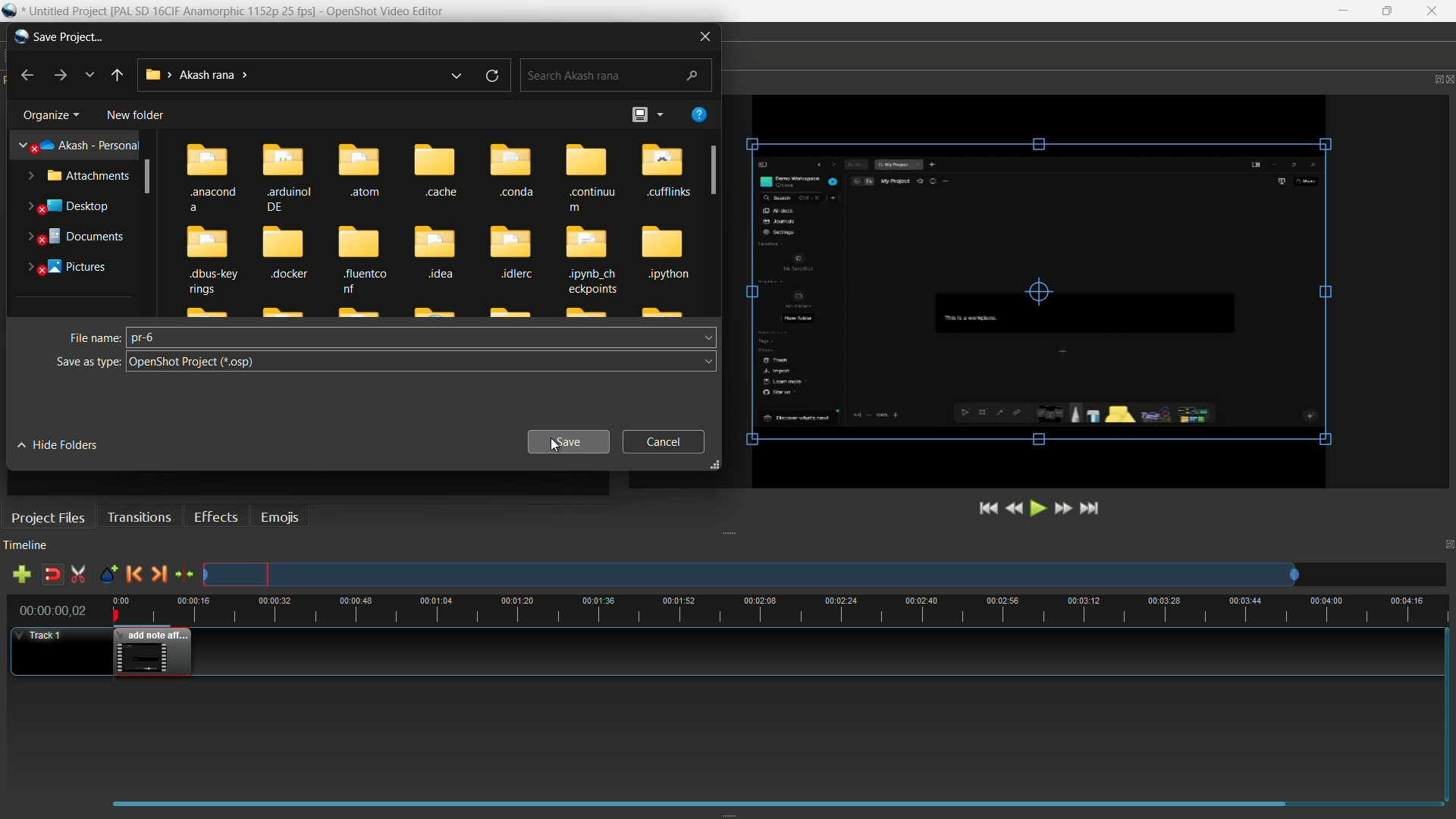 This screenshot has width=1456, height=819. Describe the element at coordinates (281, 516) in the screenshot. I see `emojis` at that location.